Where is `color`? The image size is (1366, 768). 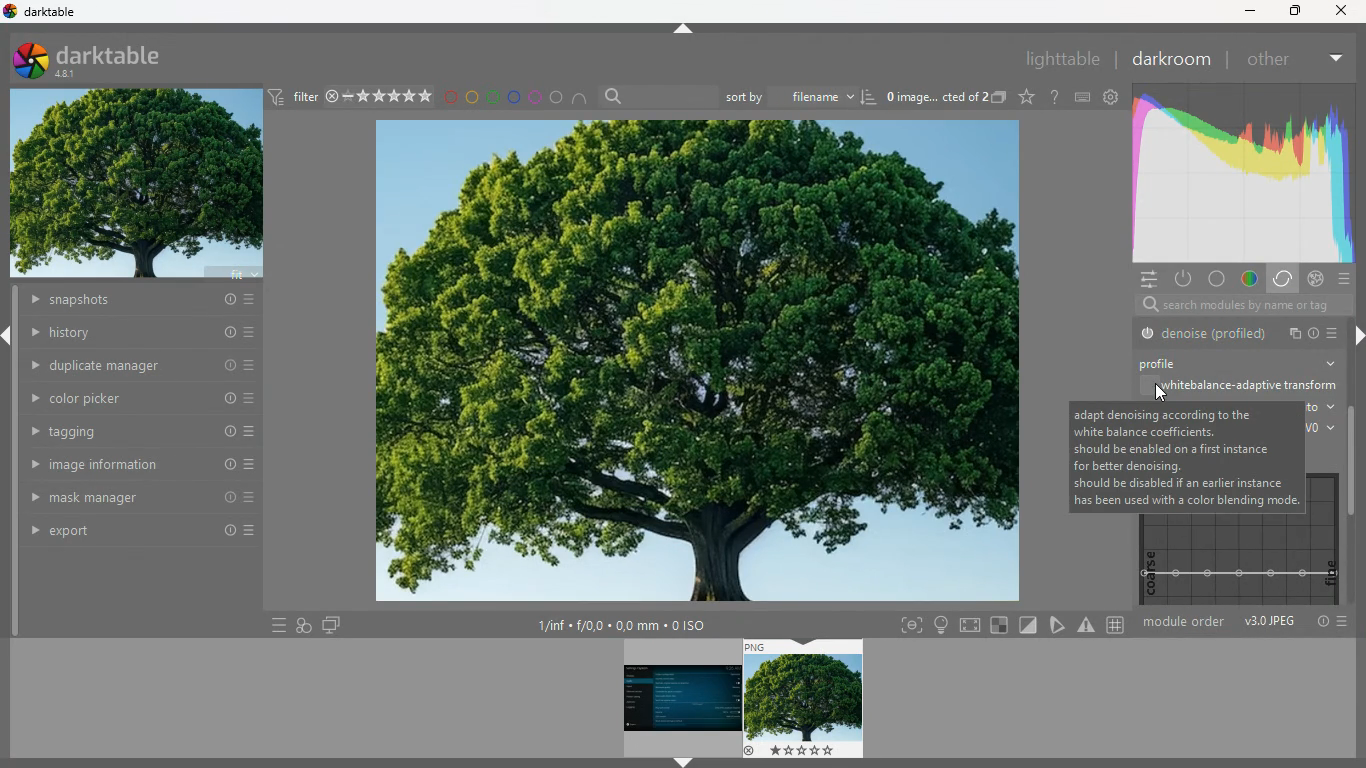
color is located at coordinates (1250, 280).